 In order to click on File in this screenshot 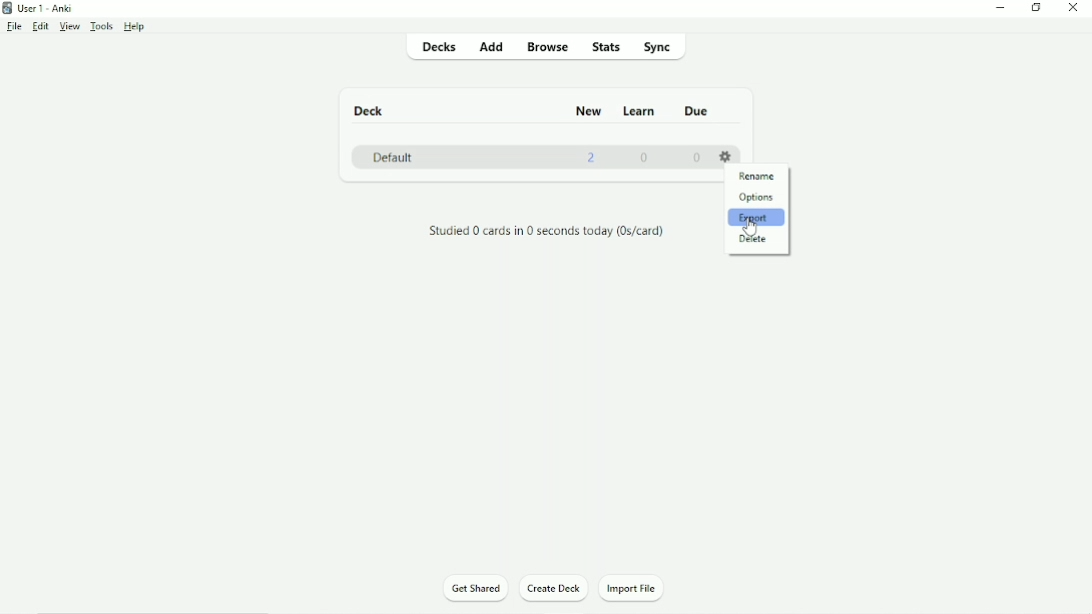, I will do `click(14, 27)`.